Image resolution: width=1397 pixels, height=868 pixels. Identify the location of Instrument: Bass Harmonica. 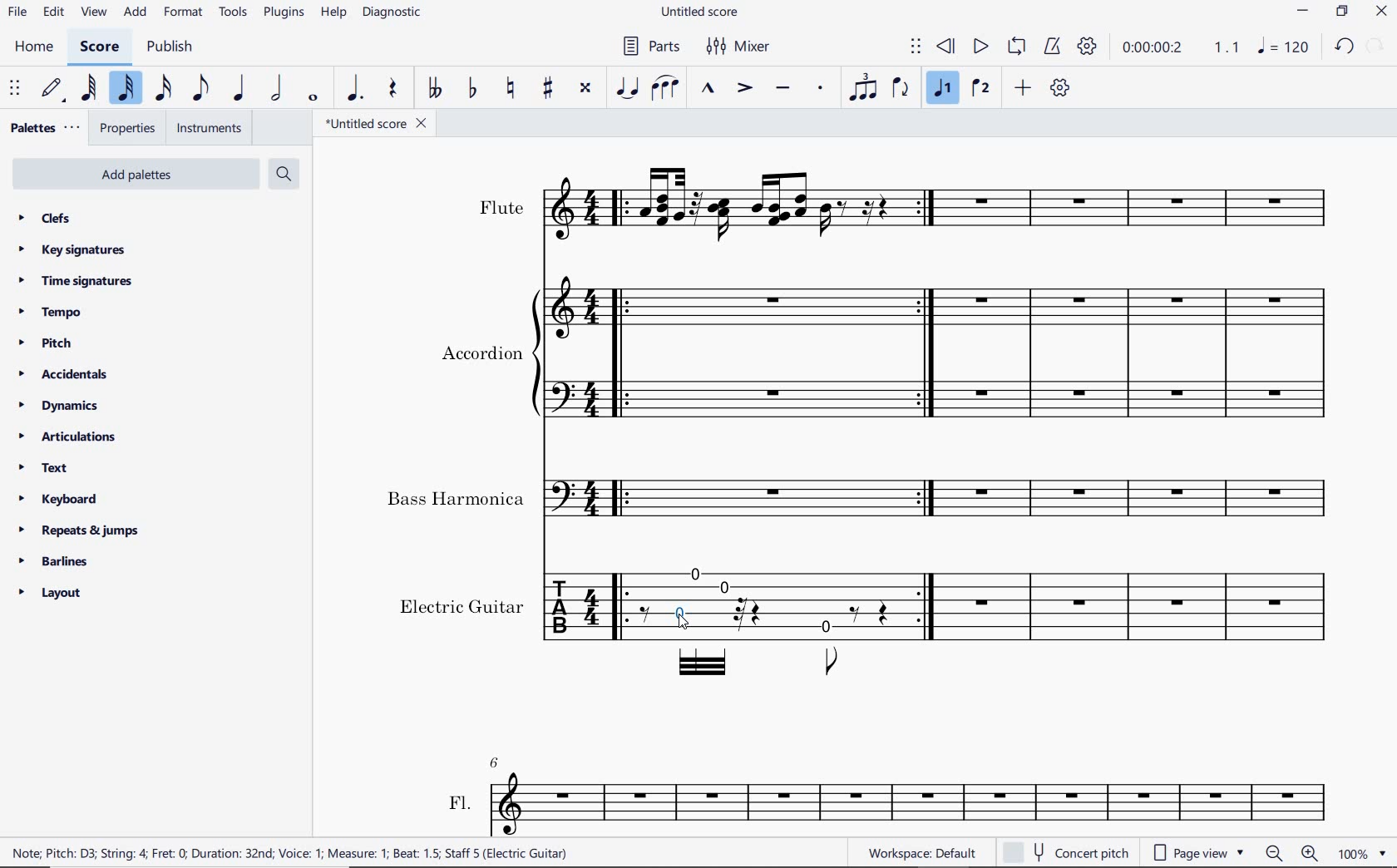
(863, 498).